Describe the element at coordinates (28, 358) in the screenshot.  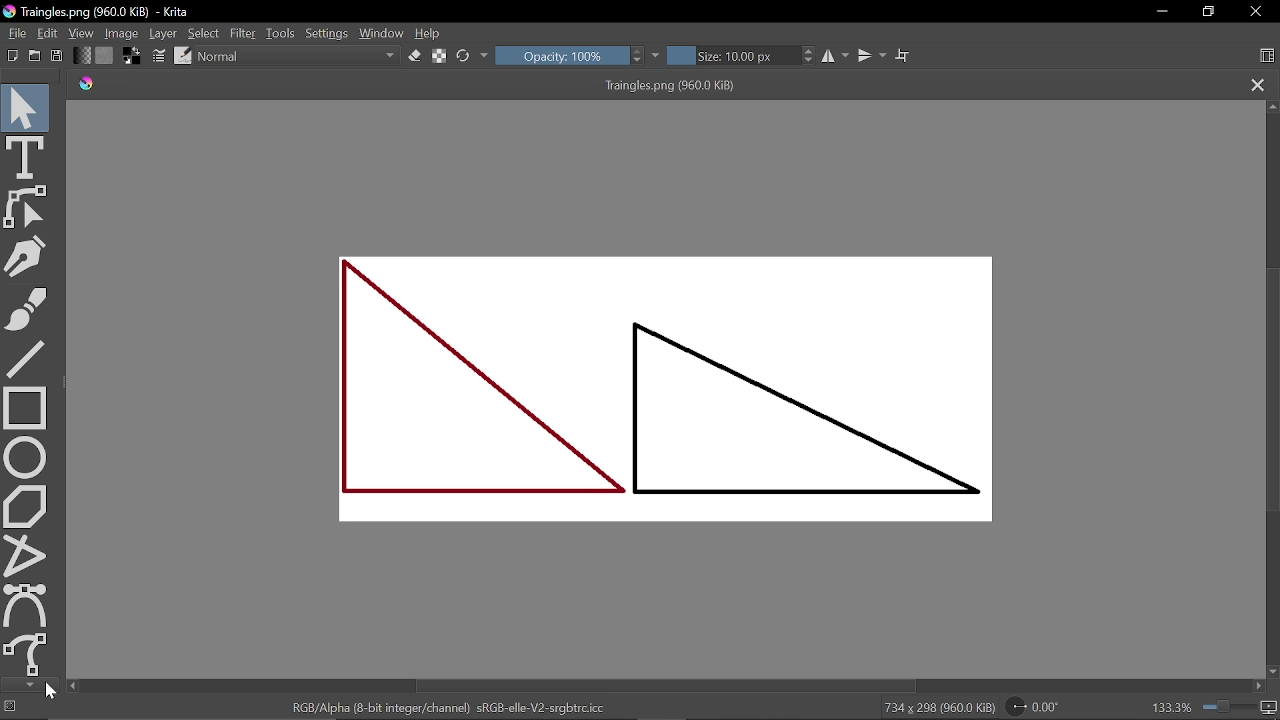
I see `Line tool` at that location.